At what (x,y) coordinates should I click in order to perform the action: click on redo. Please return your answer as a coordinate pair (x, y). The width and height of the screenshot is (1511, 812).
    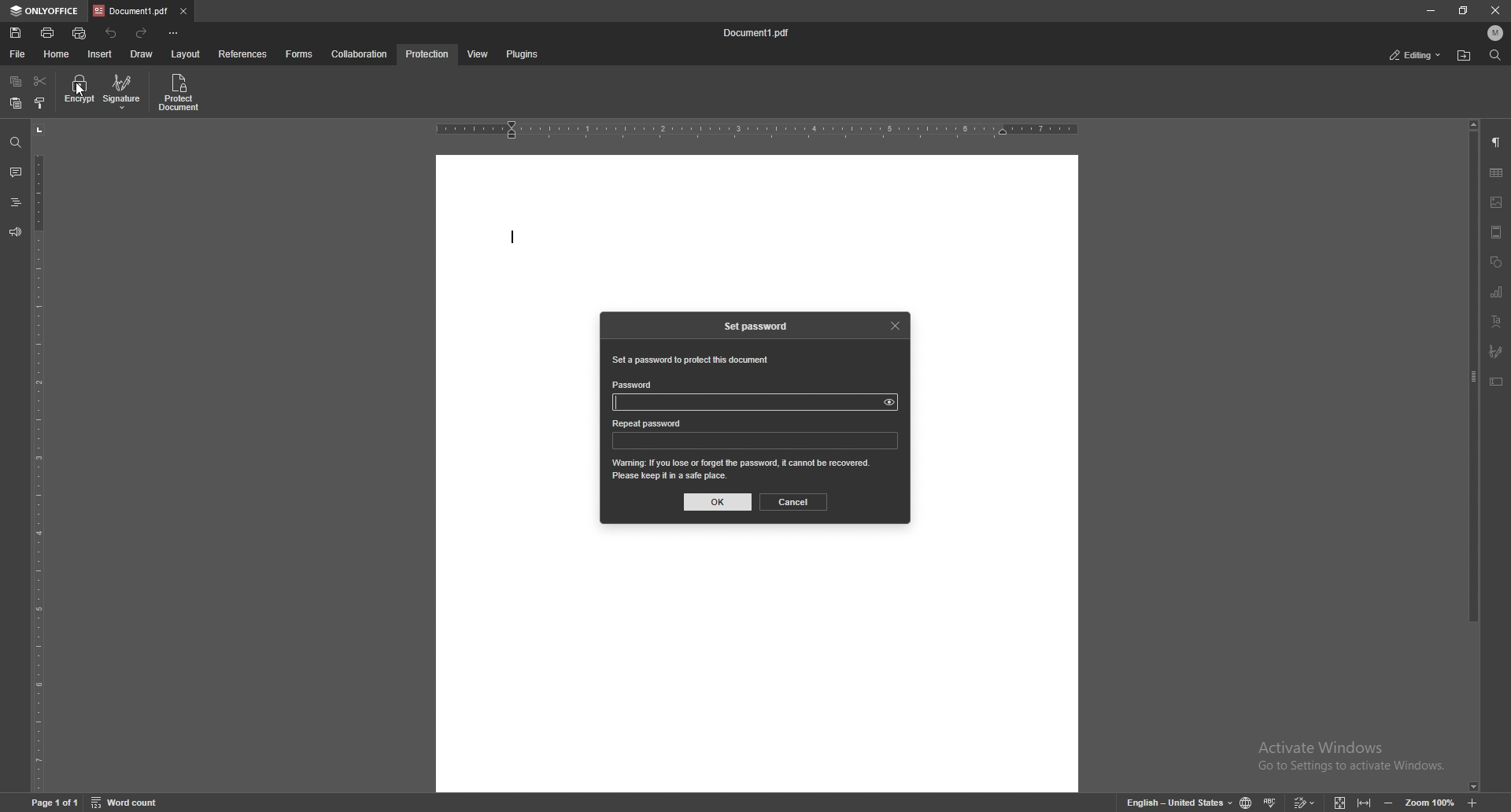
    Looking at the image, I should click on (144, 34).